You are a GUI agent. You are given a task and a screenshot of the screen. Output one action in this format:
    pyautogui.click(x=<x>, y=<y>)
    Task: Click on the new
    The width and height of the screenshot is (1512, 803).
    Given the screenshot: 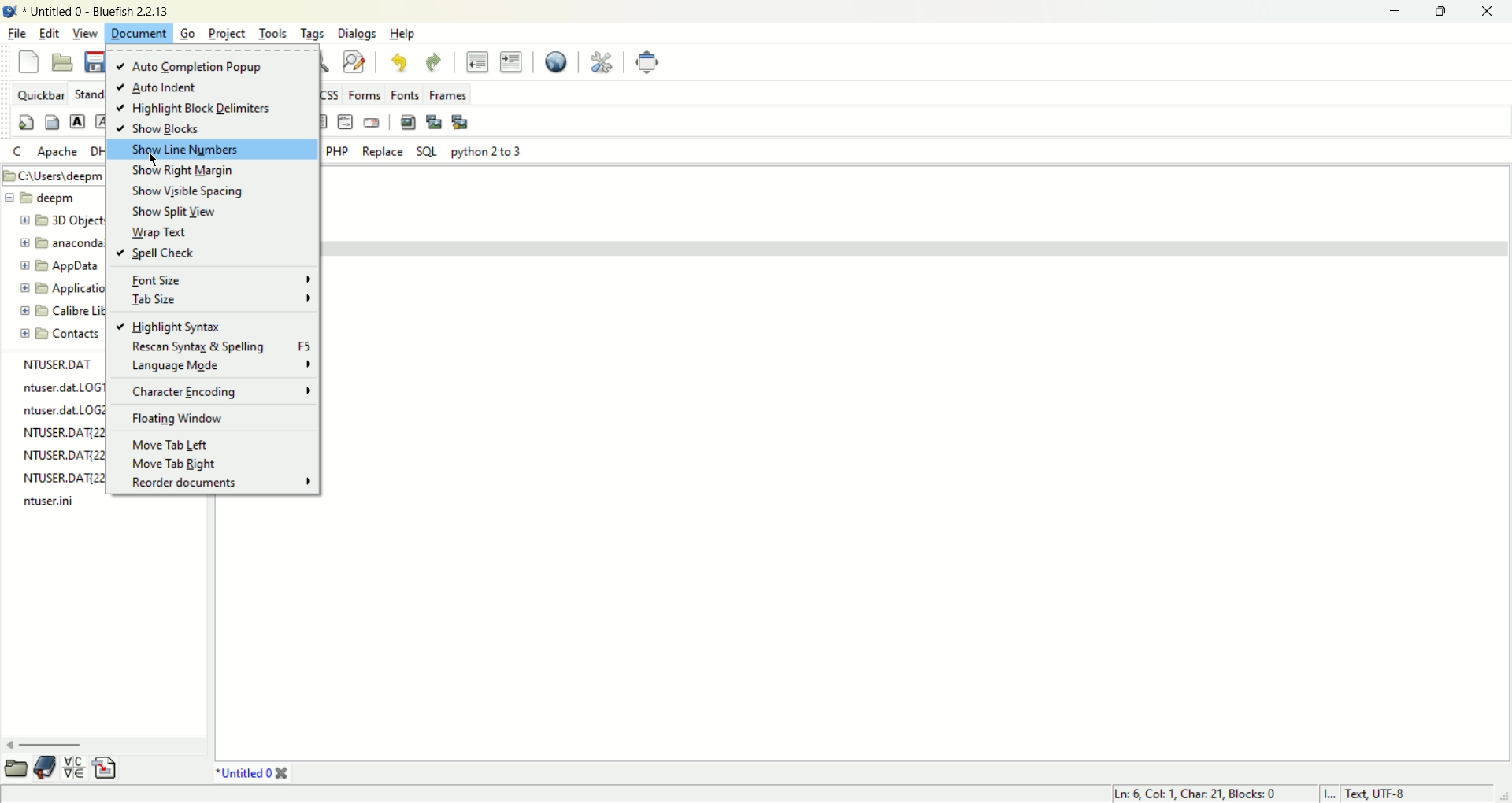 What is the action you would take?
    pyautogui.click(x=30, y=61)
    